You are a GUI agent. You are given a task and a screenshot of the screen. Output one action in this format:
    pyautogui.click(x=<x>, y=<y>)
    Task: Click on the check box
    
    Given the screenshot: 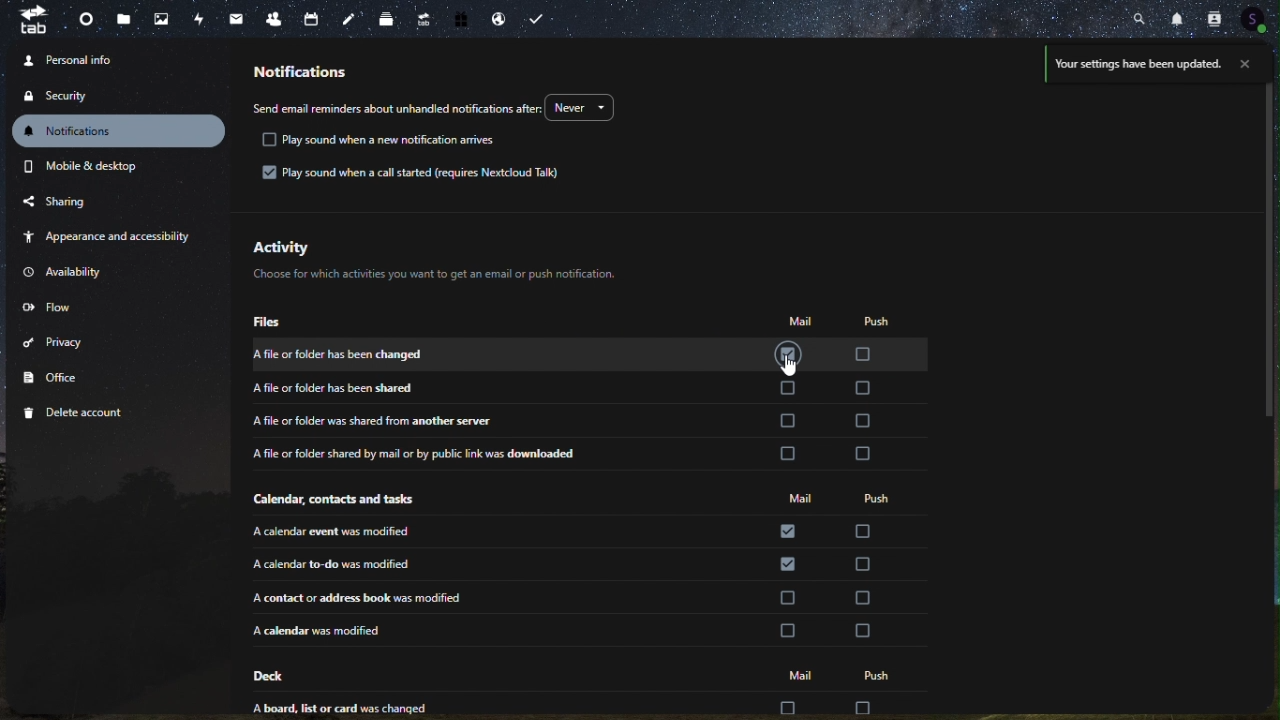 What is the action you would take?
    pyautogui.click(x=788, y=419)
    